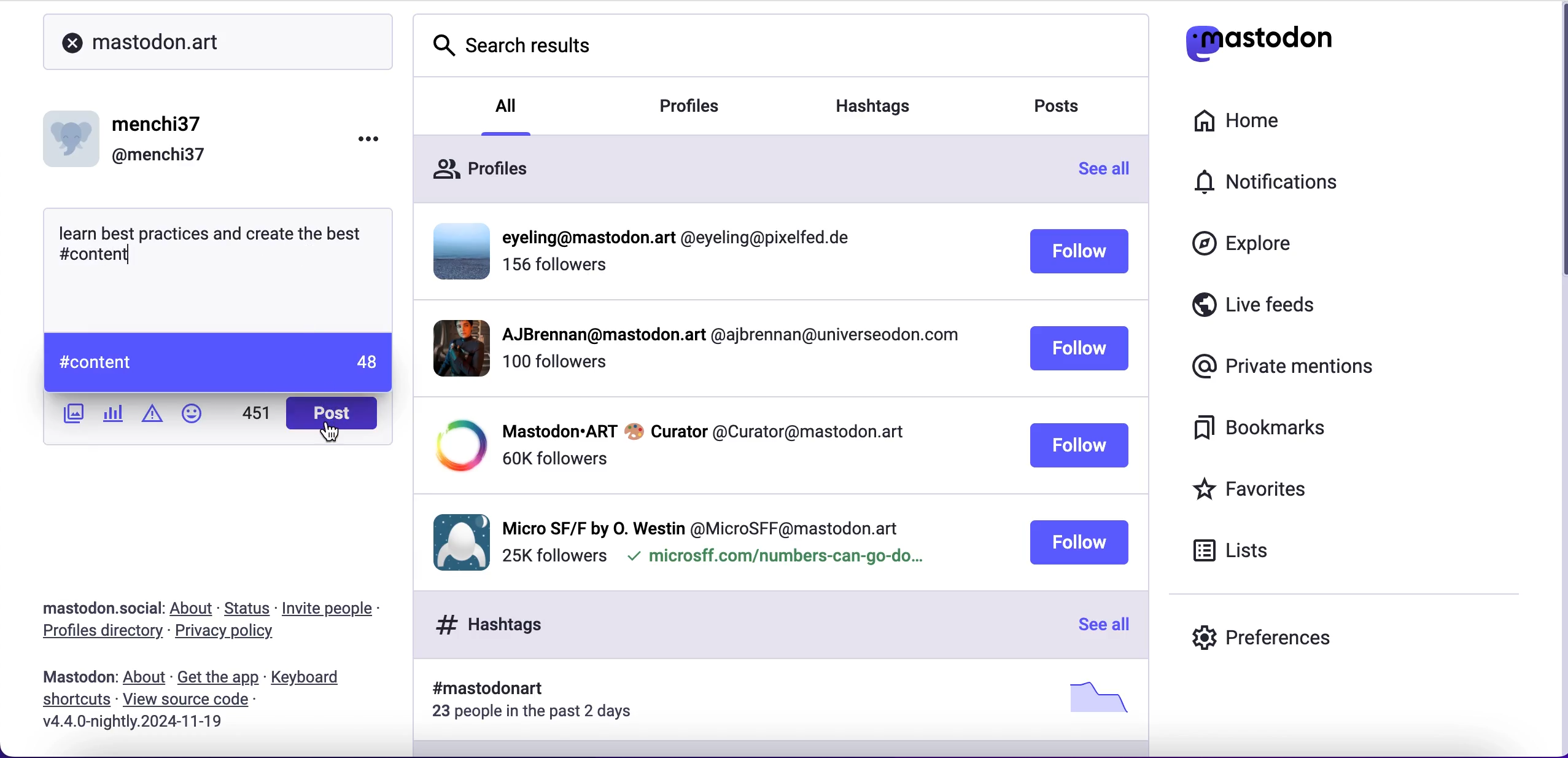 The width and height of the screenshot is (1568, 758). What do you see at coordinates (96, 606) in the screenshot?
I see `mastodon.social` at bounding box center [96, 606].